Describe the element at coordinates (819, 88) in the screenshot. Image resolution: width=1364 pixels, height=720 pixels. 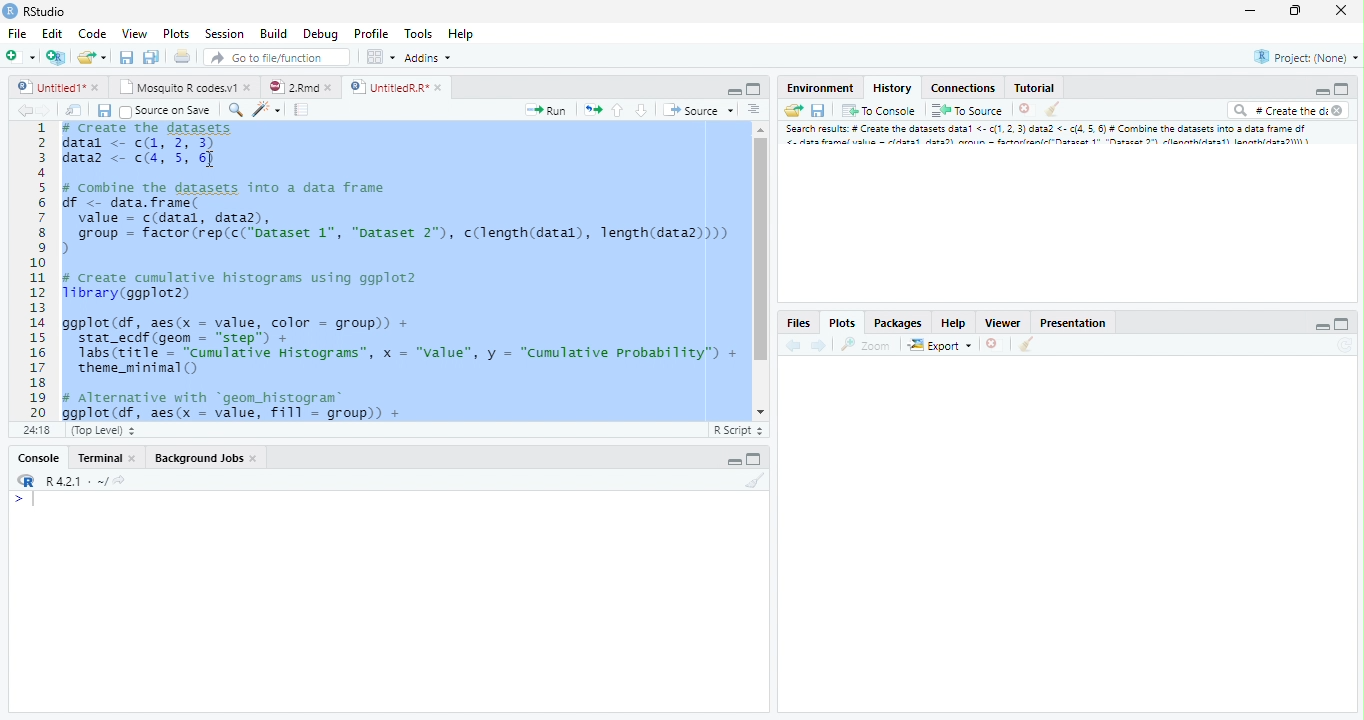
I see `Environment` at that location.